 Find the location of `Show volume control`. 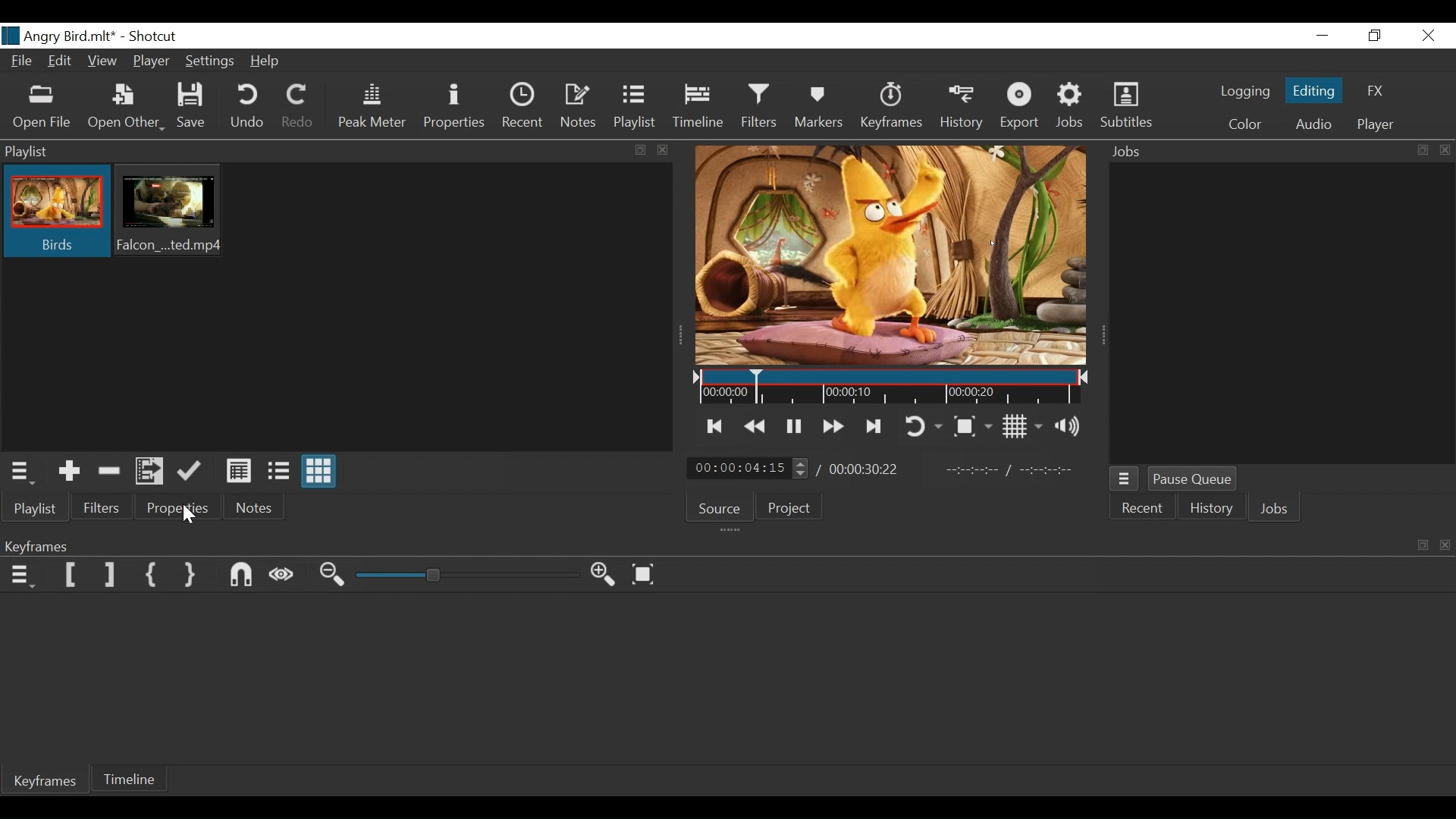

Show volume control is located at coordinates (1072, 428).